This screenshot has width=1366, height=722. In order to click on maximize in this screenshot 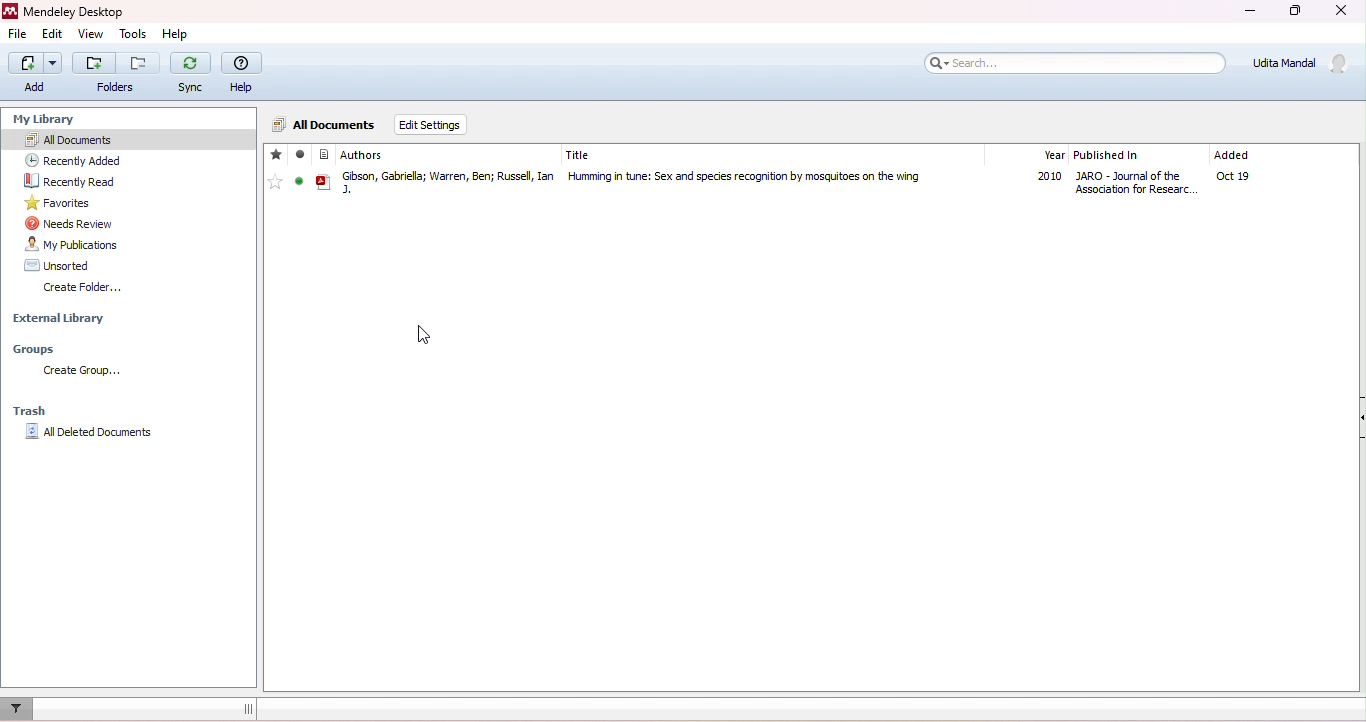, I will do `click(1295, 12)`.